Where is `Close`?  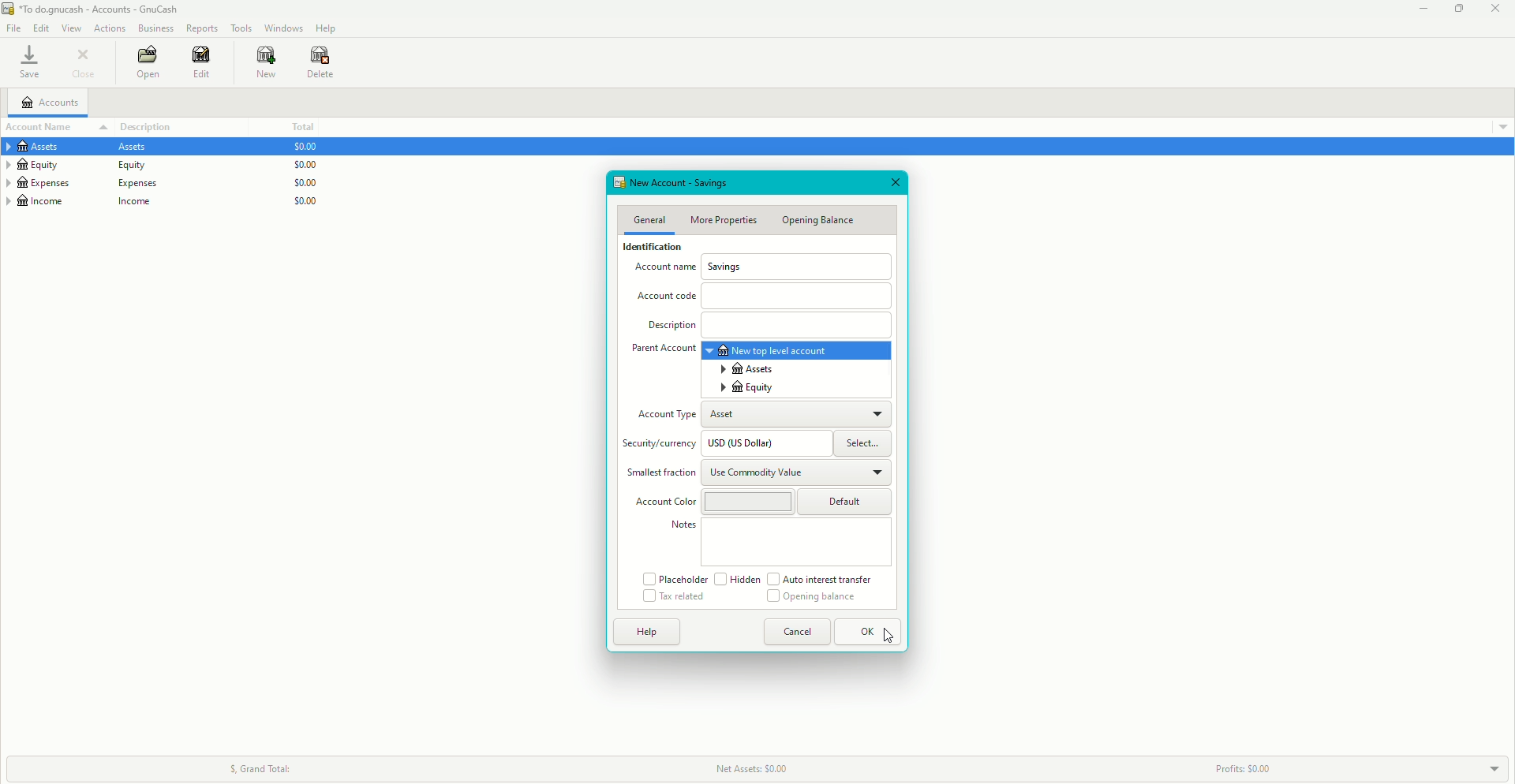
Close is located at coordinates (896, 182).